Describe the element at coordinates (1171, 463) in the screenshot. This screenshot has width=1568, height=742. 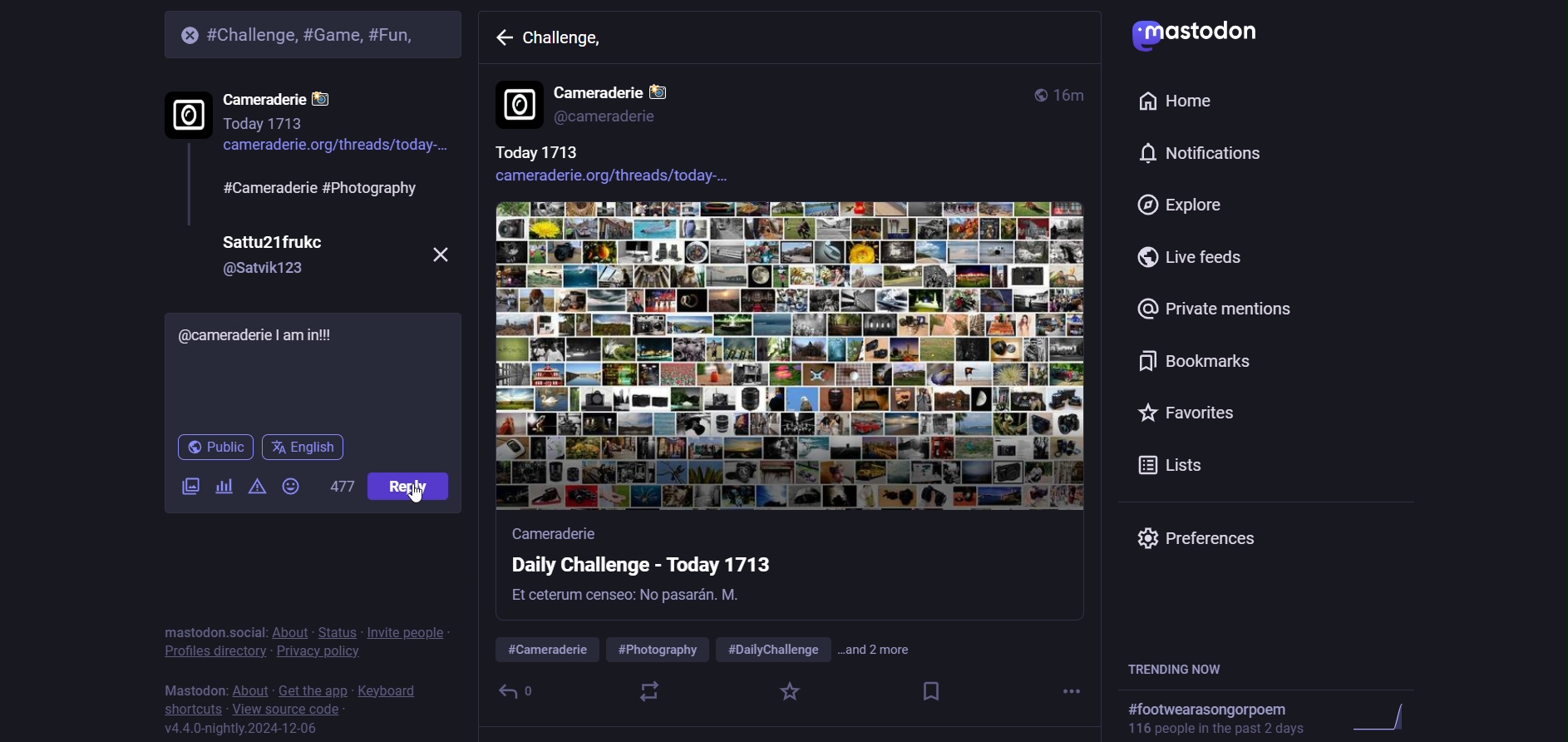
I see `lists` at that location.